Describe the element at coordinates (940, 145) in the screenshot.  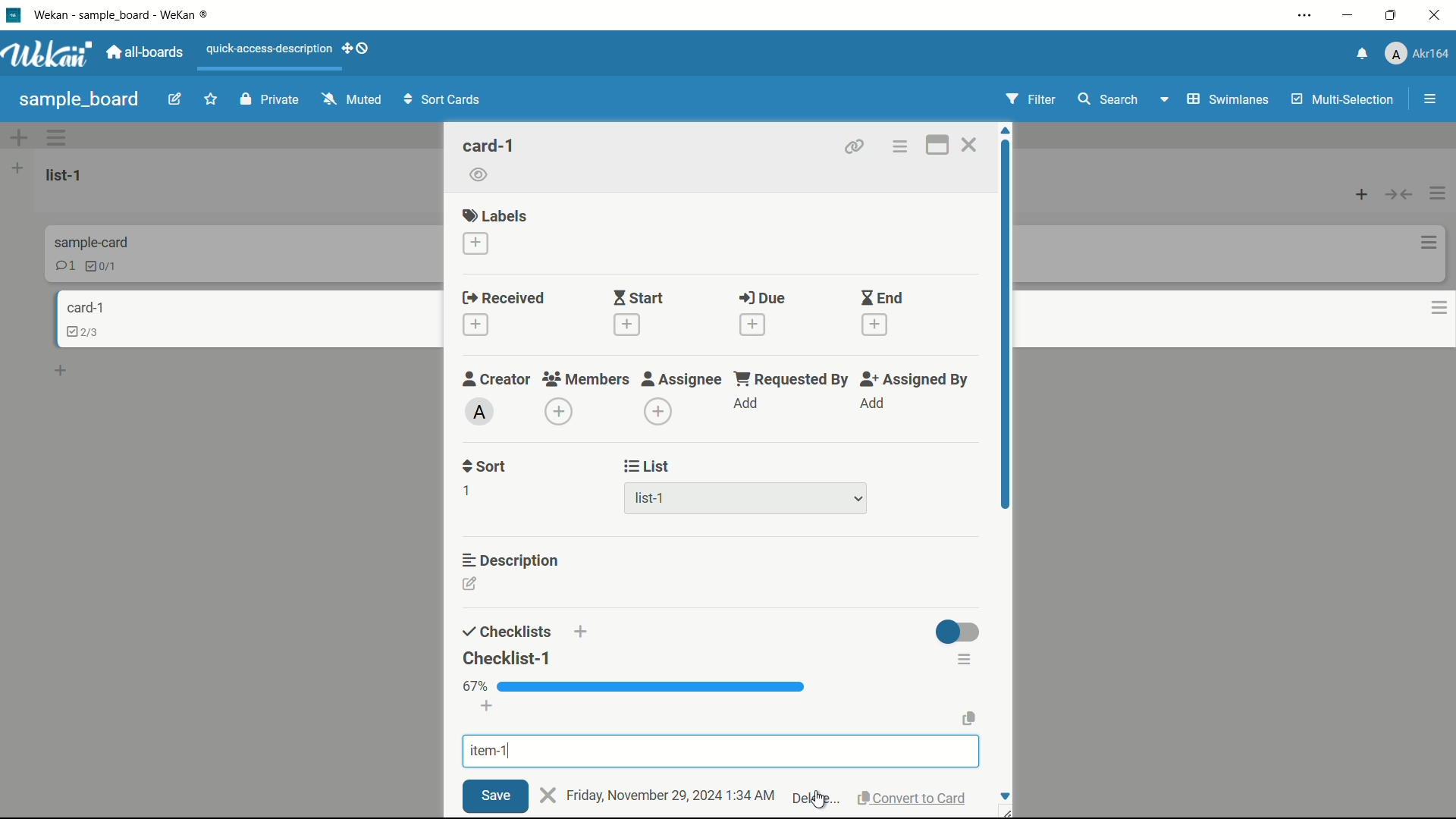
I see `maximize card` at that location.